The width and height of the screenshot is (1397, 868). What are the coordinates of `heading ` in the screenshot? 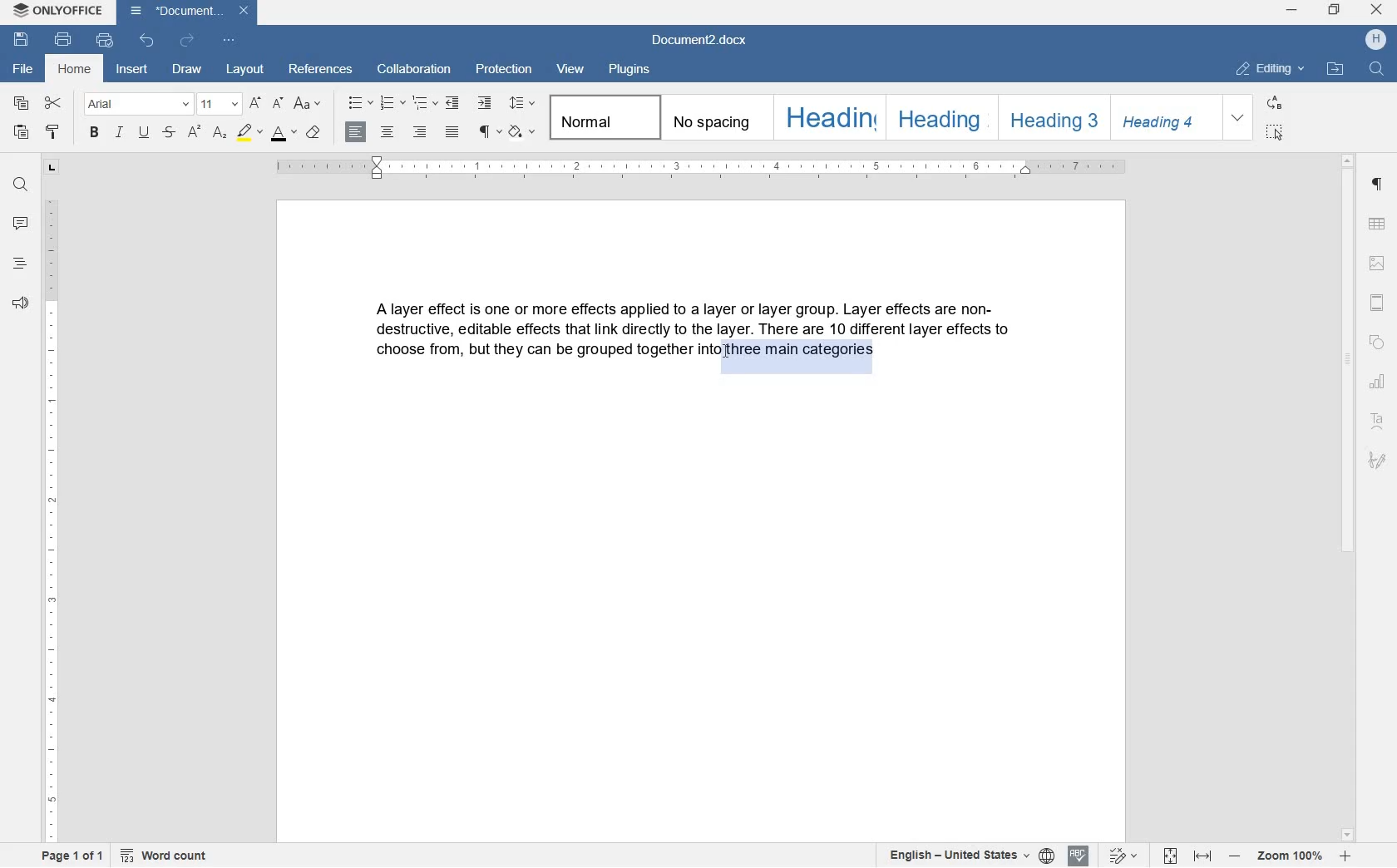 It's located at (18, 264).